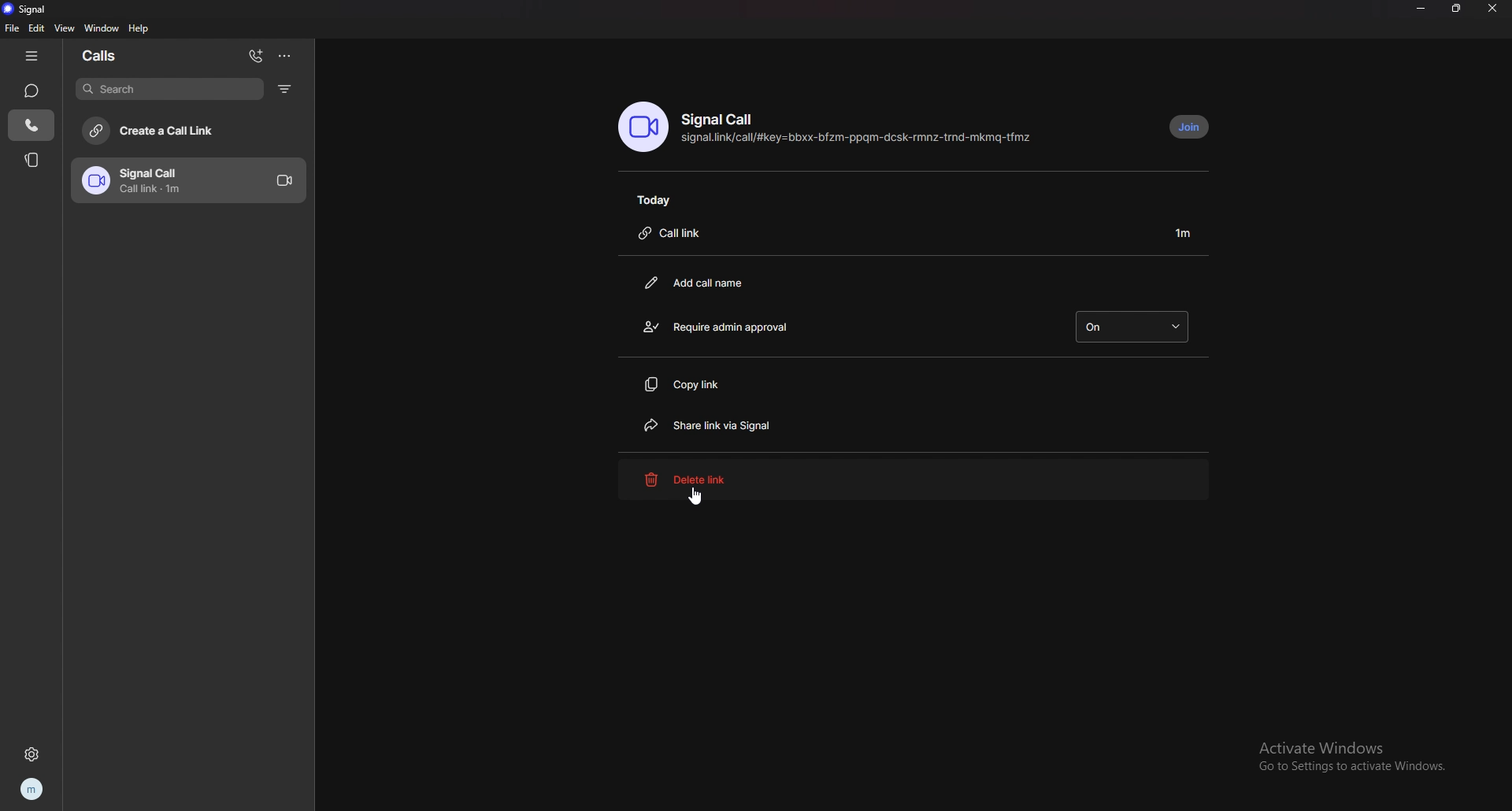 This screenshot has width=1512, height=811. What do you see at coordinates (286, 56) in the screenshot?
I see `options` at bounding box center [286, 56].